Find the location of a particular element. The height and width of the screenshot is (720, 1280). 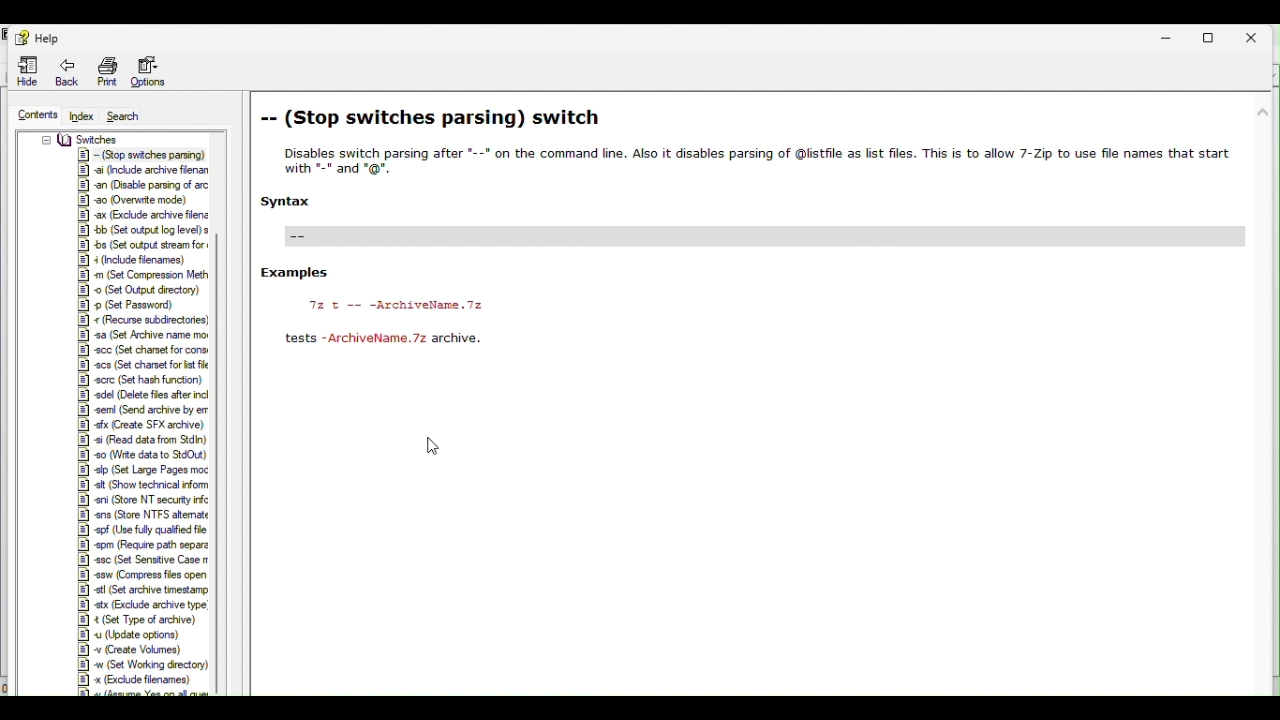

 is located at coordinates (145, 543).